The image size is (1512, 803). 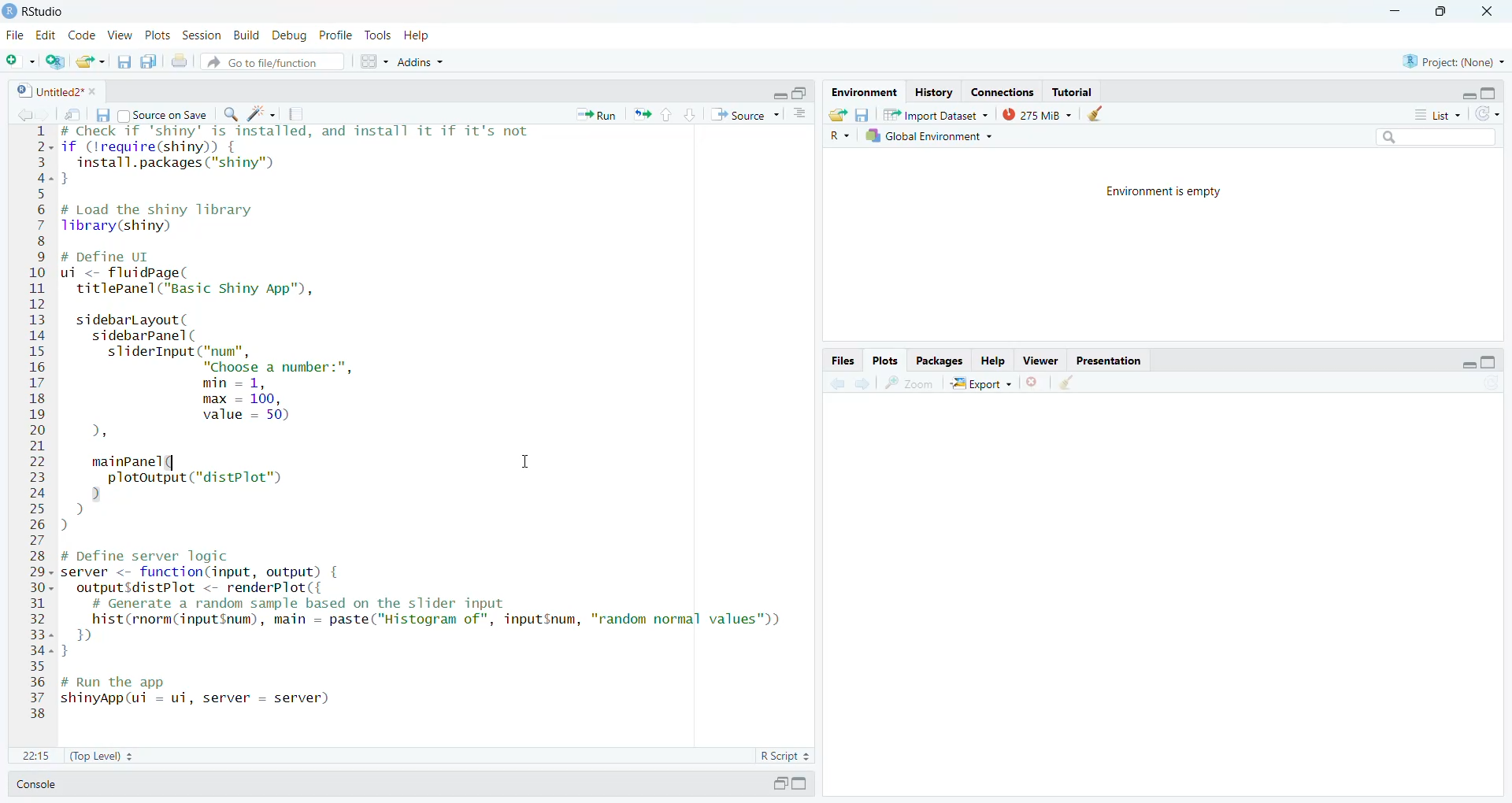 I want to click on Environment is empty, so click(x=1166, y=192).